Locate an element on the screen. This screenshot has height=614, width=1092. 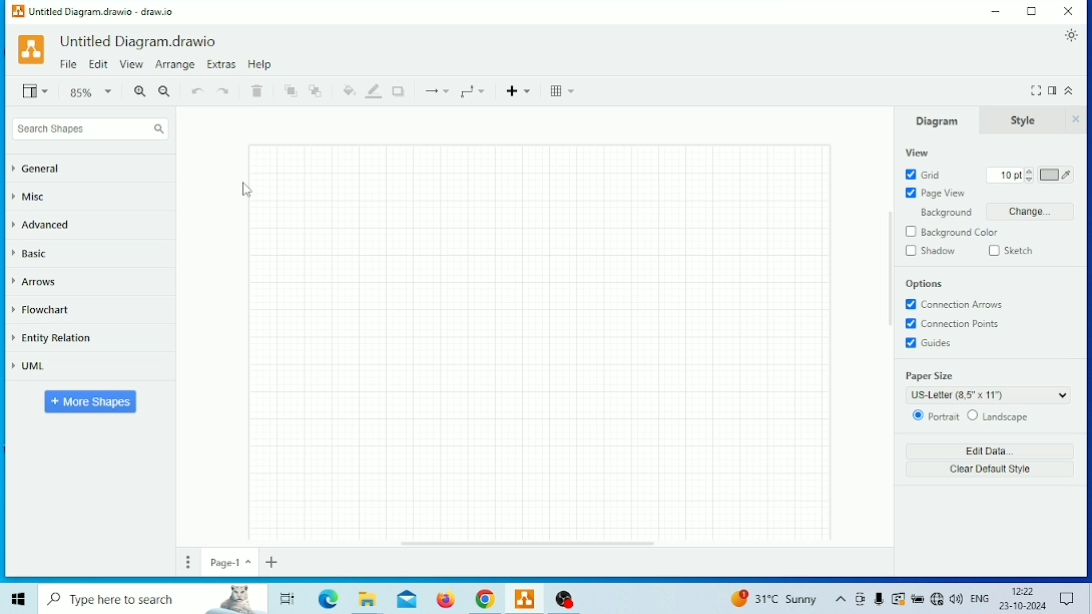
Meet Now is located at coordinates (859, 599).